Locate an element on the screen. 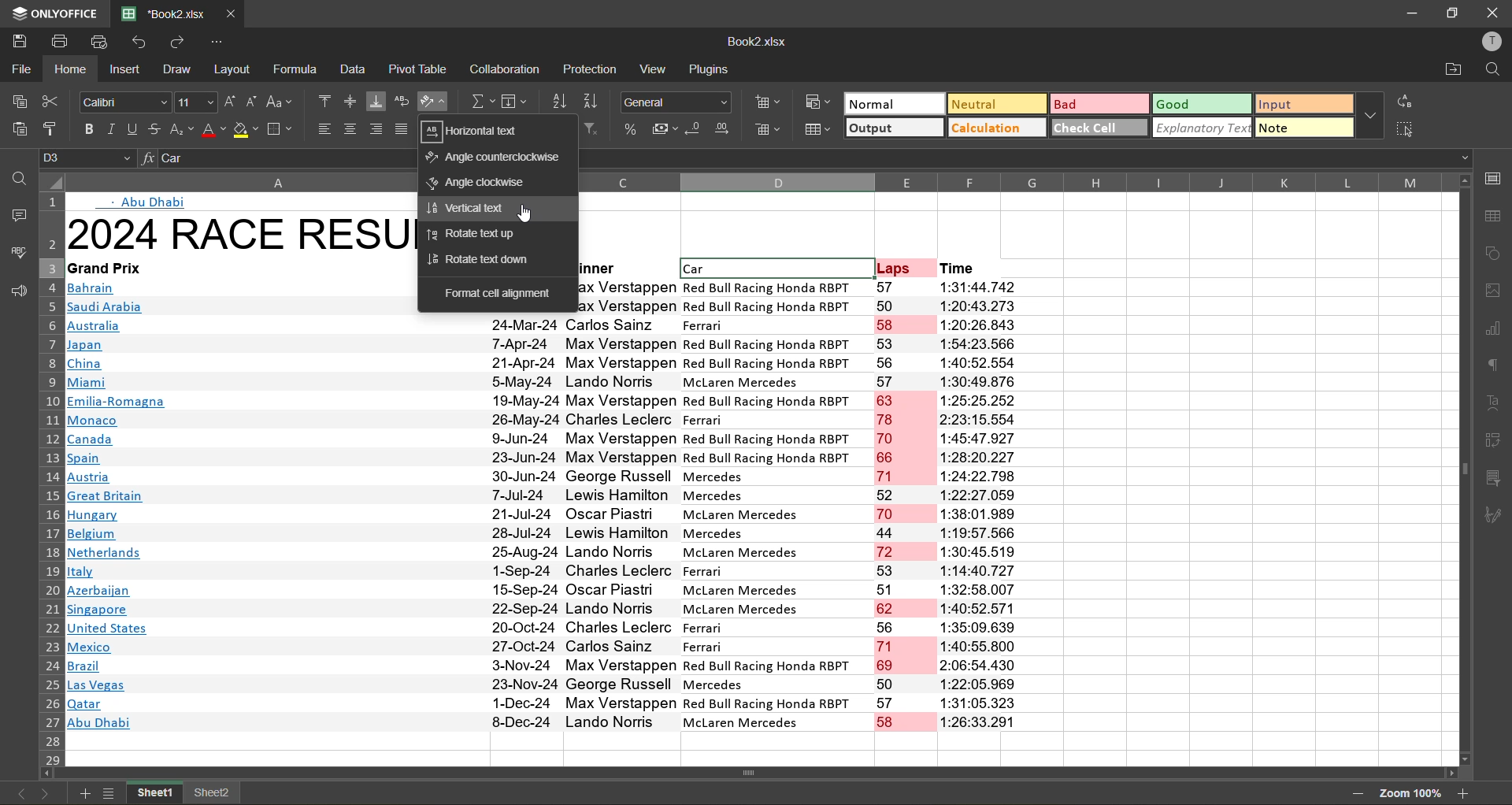 The height and width of the screenshot is (805, 1512). font style is located at coordinates (126, 103).